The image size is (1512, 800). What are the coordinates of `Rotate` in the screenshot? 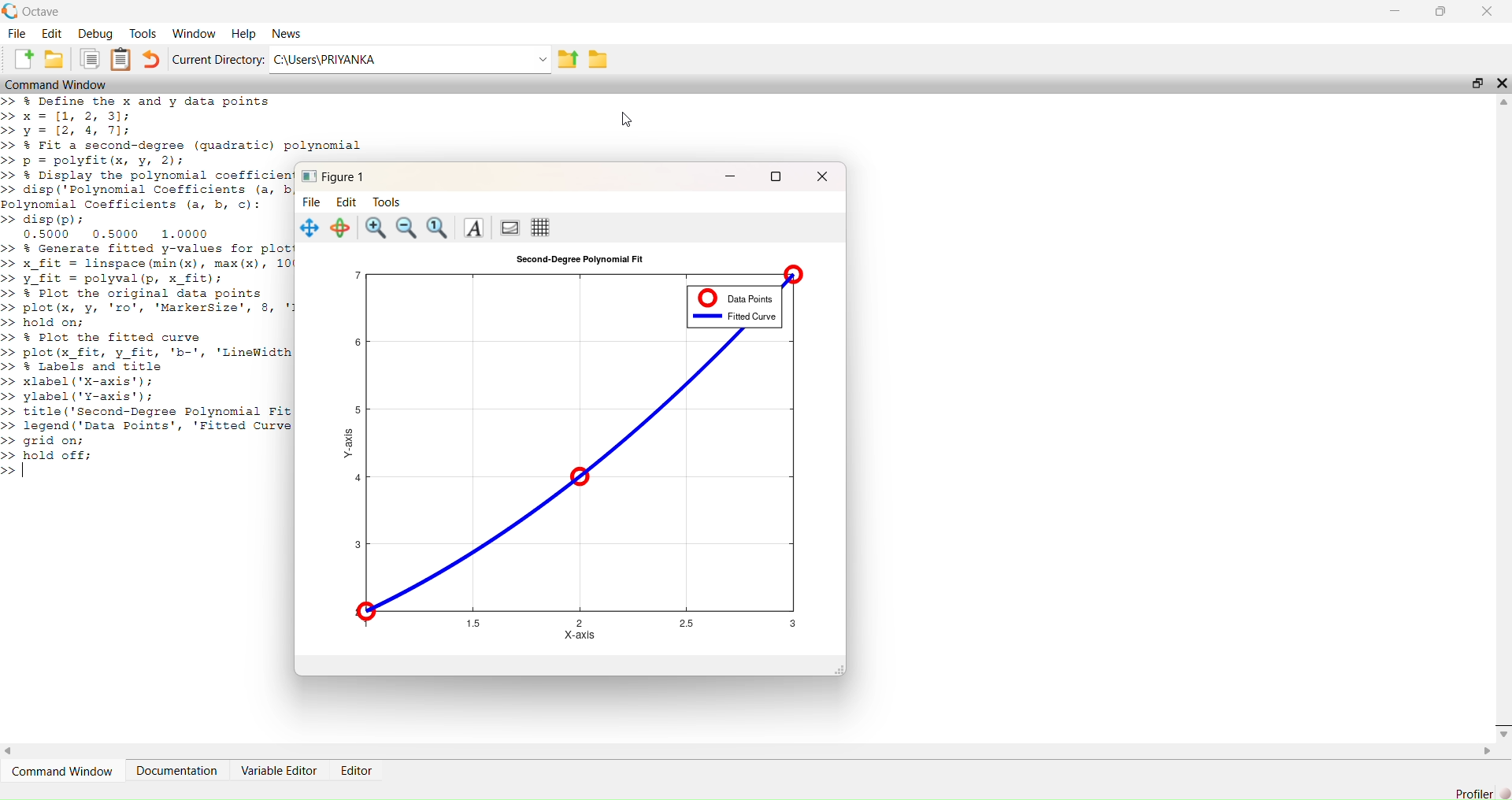 It's located at (339, 228).